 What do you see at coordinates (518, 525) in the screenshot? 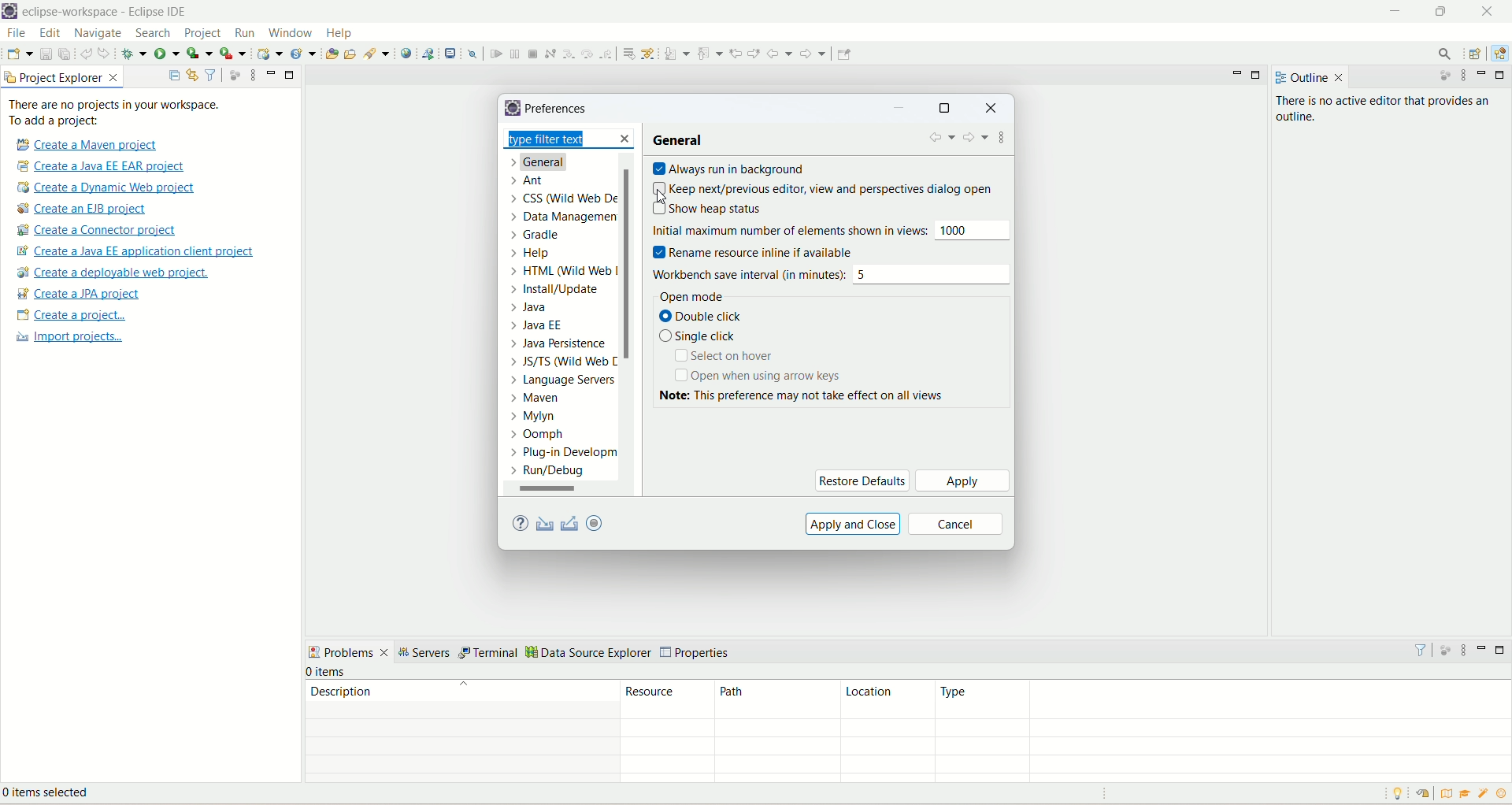
I see `help` at bounding box center [518, 525].